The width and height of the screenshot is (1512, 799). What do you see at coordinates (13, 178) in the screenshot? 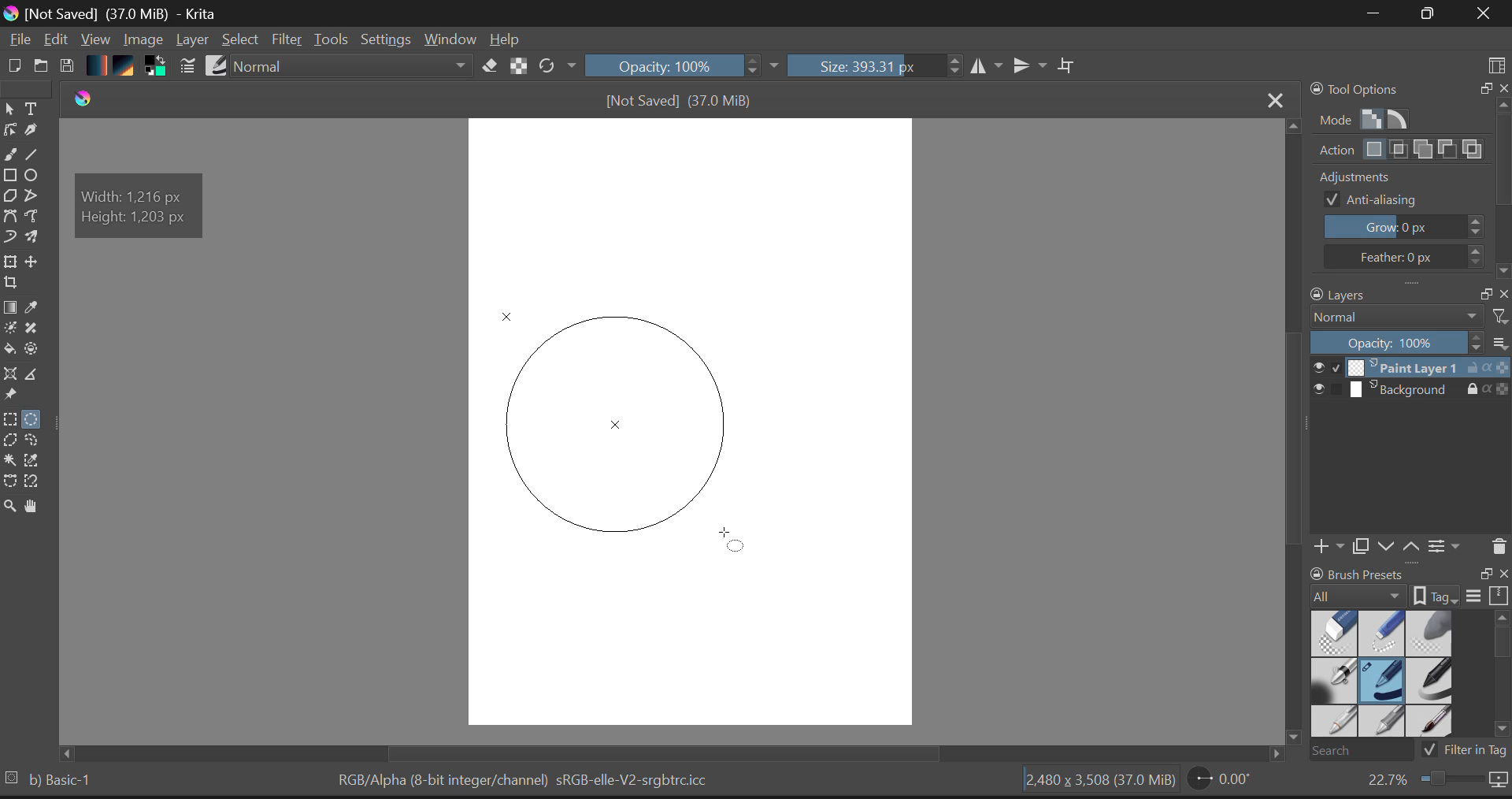
I see `Rectangle` at bounding box center [13, 178].